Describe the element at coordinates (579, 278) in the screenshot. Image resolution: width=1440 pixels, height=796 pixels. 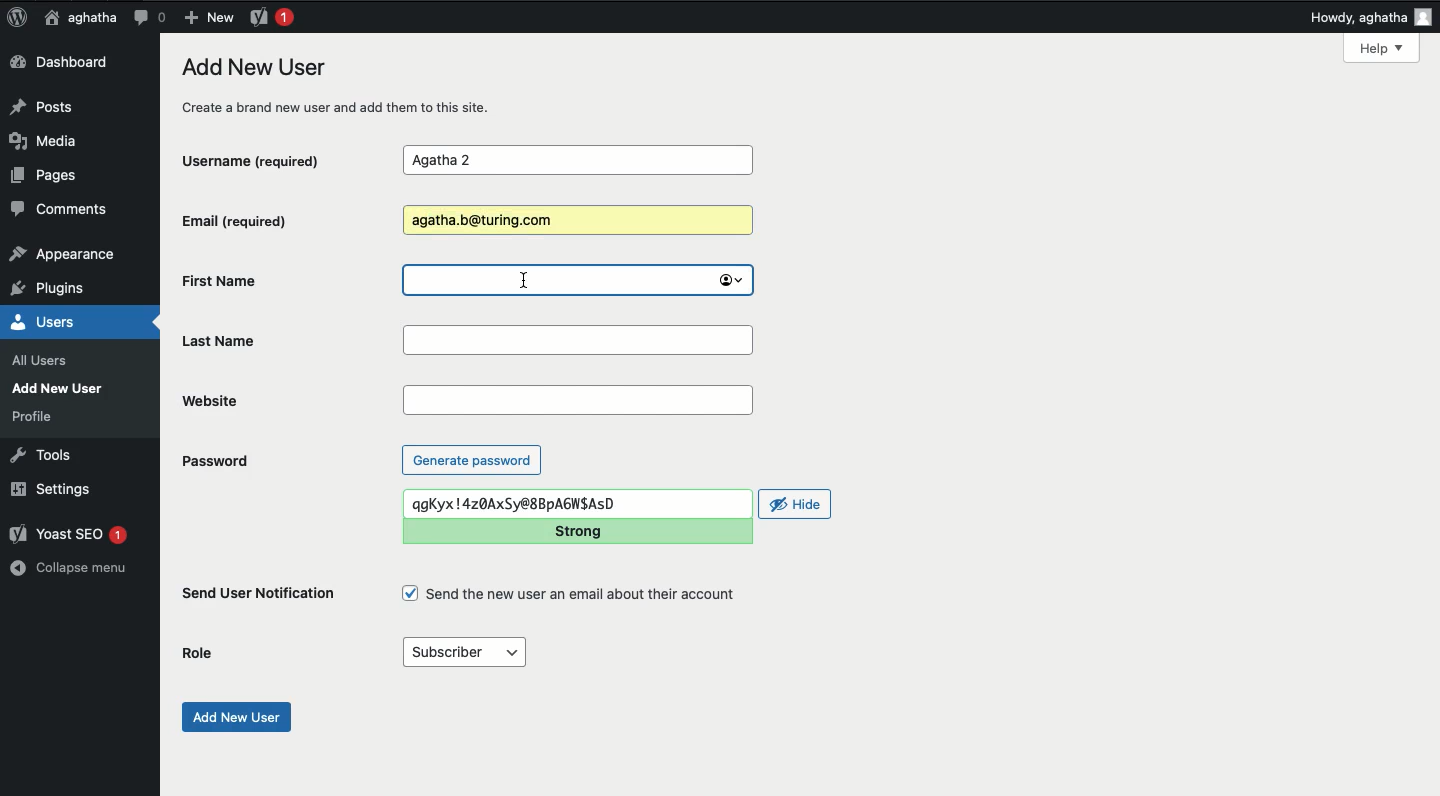
I see `first name` at that location.